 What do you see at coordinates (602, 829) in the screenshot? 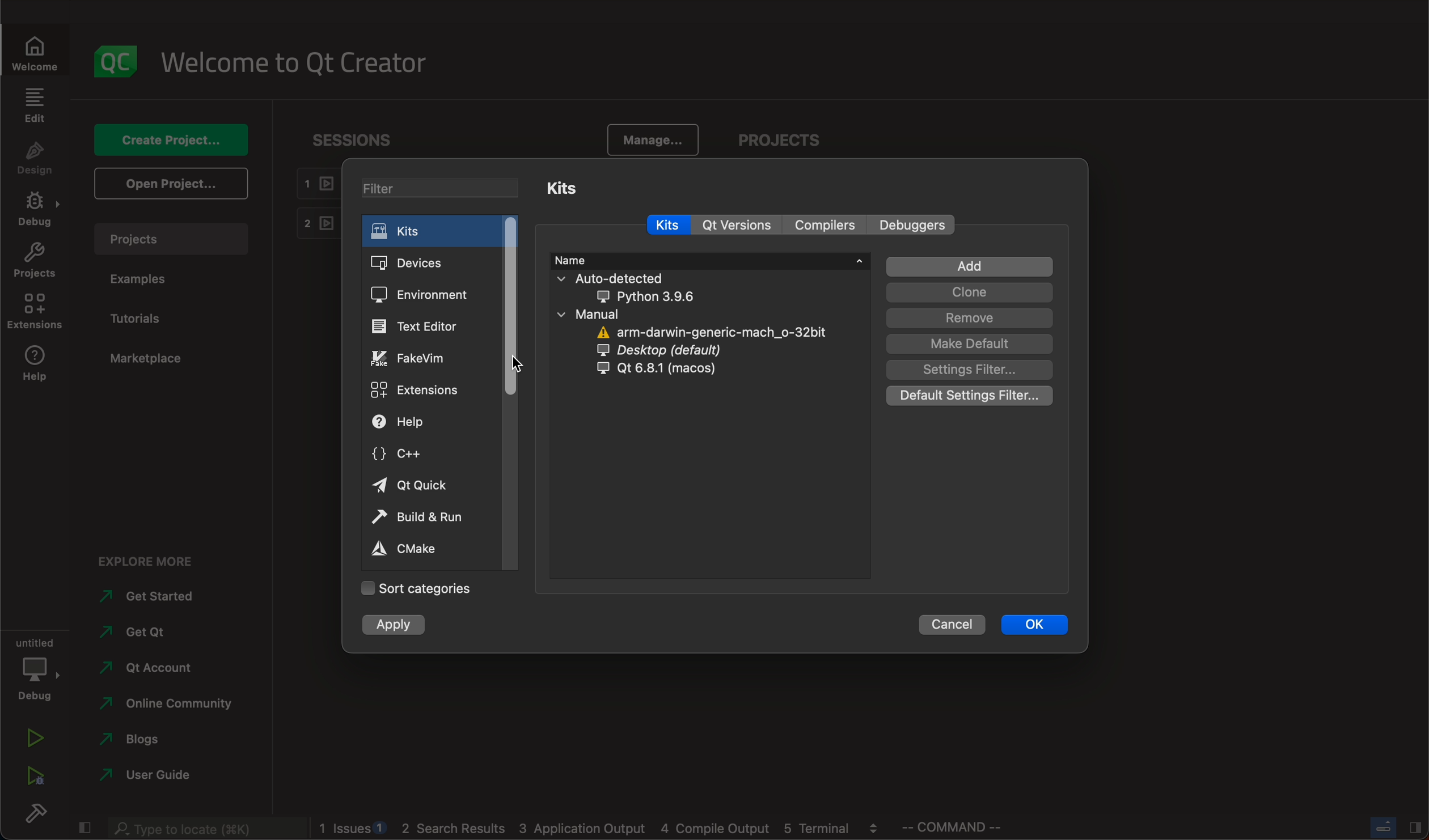
I see `logs` at bounding box center [602, 829].